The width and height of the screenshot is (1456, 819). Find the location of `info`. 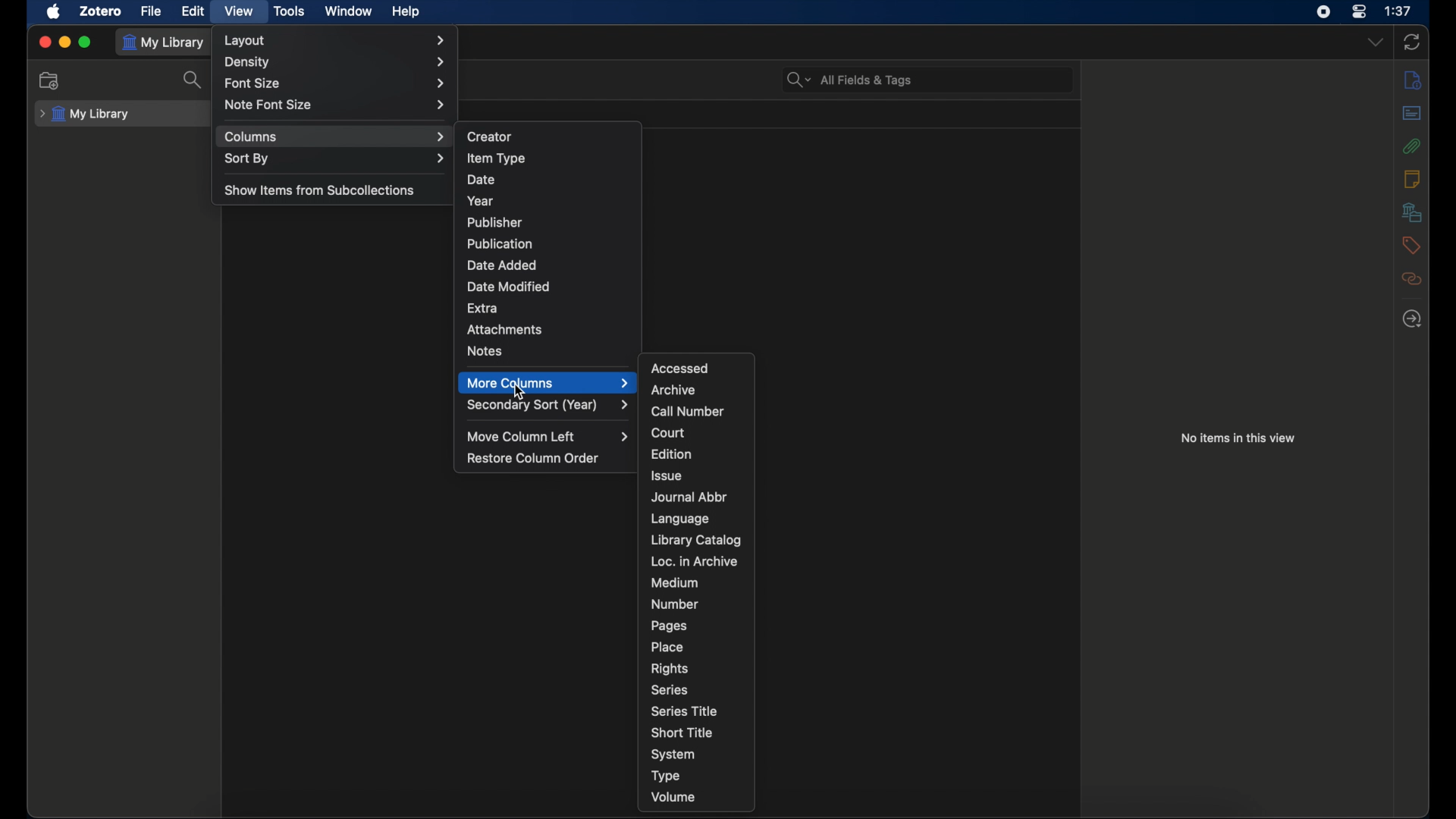

info is located at coordinates (1414, 79).